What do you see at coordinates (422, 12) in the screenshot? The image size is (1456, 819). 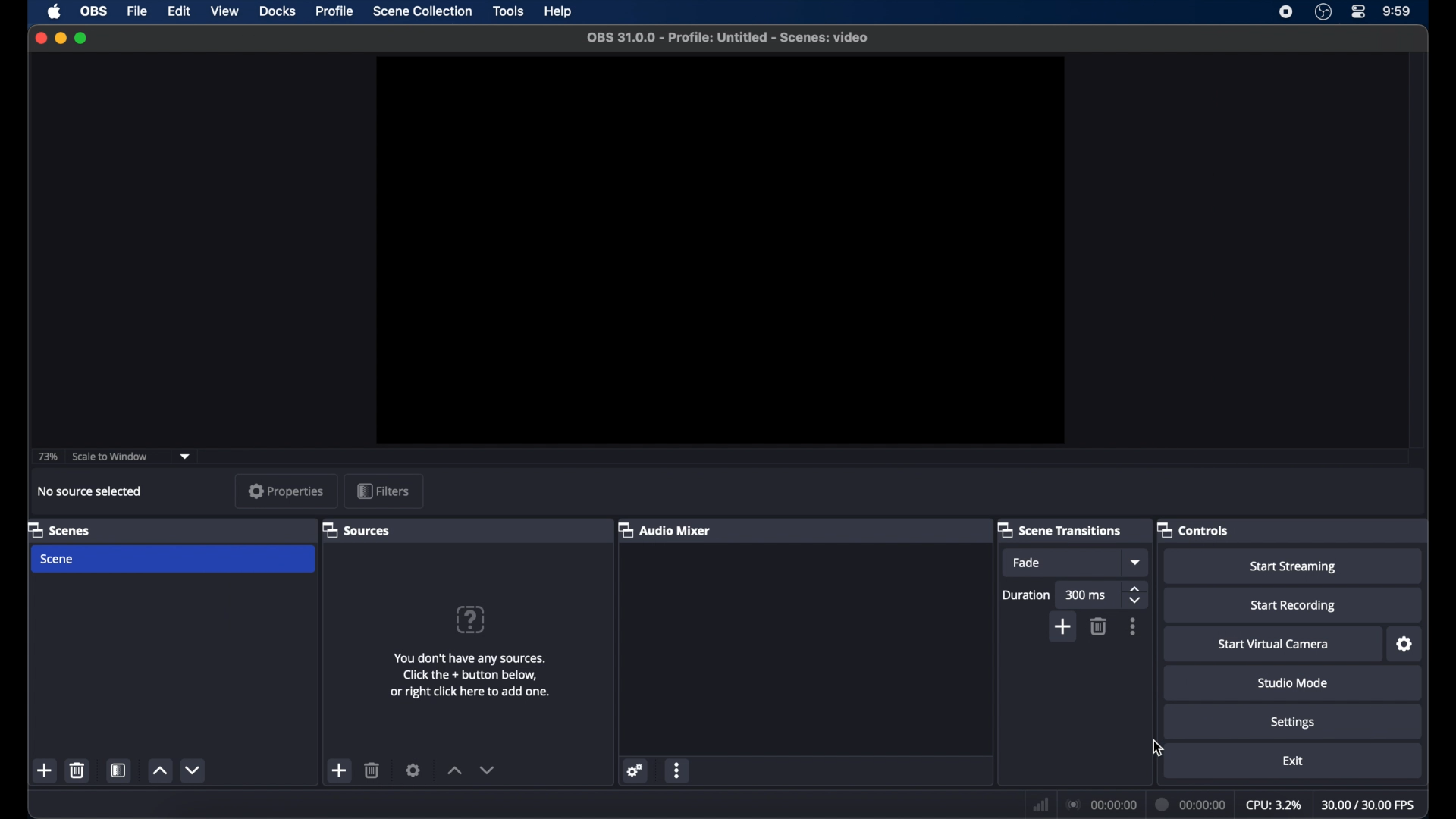 I see `scene collection` at bounding box center [422, 12].